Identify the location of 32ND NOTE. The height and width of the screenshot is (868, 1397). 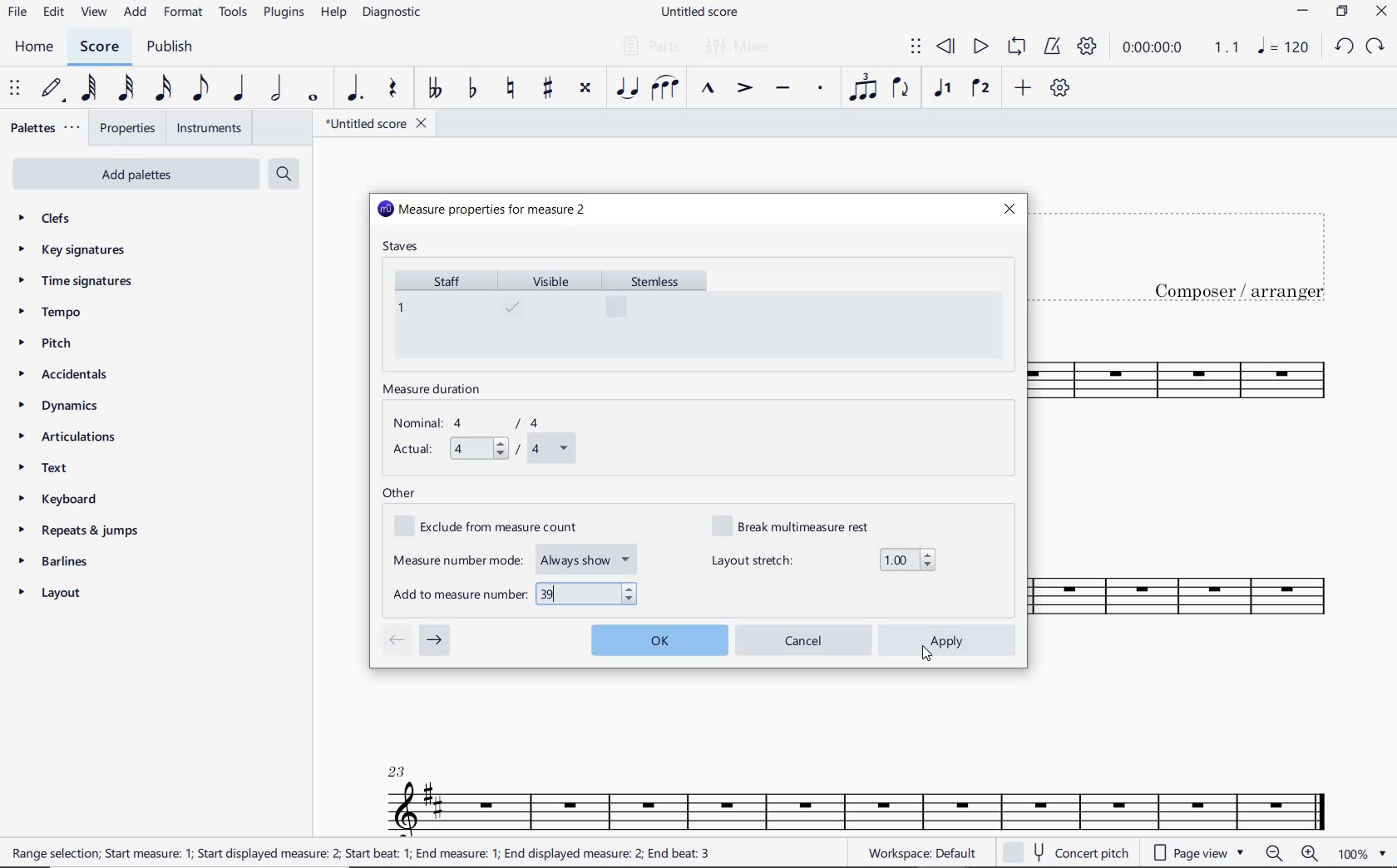
(126, 89).